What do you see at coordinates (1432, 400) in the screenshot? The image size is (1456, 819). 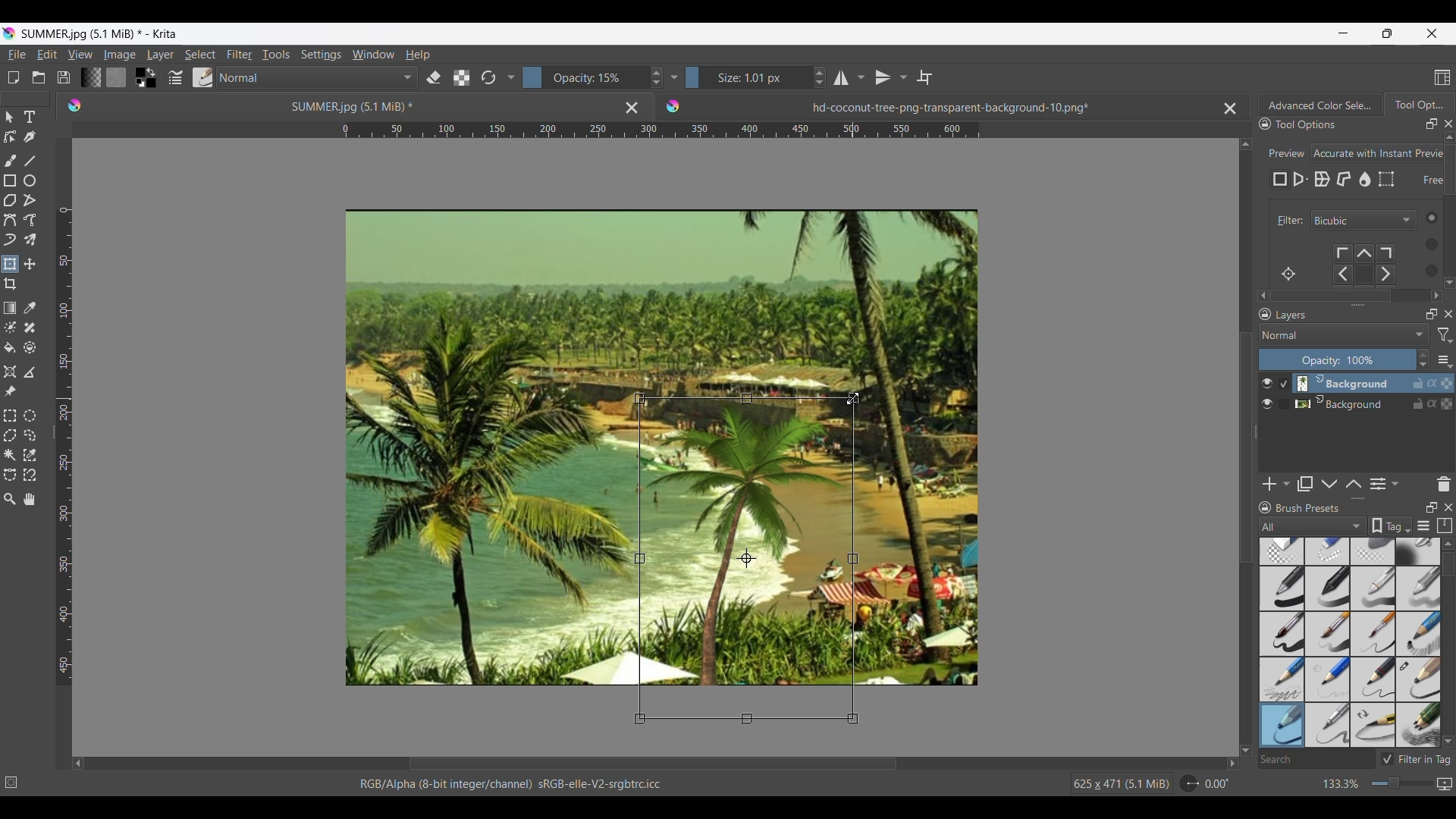 I see `Sync` at bounding box center [1432, 400].